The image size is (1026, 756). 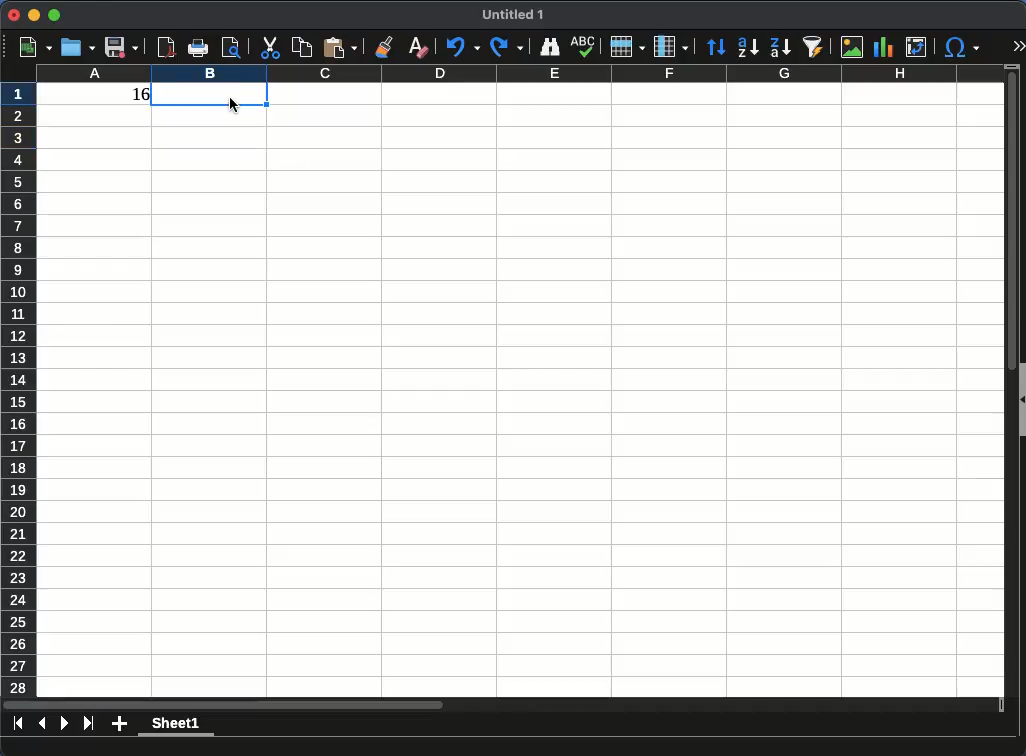 What do you see at coordinates (63, 723) in the screenshot?
I see `next sheet` at bounding box center [63, 723].